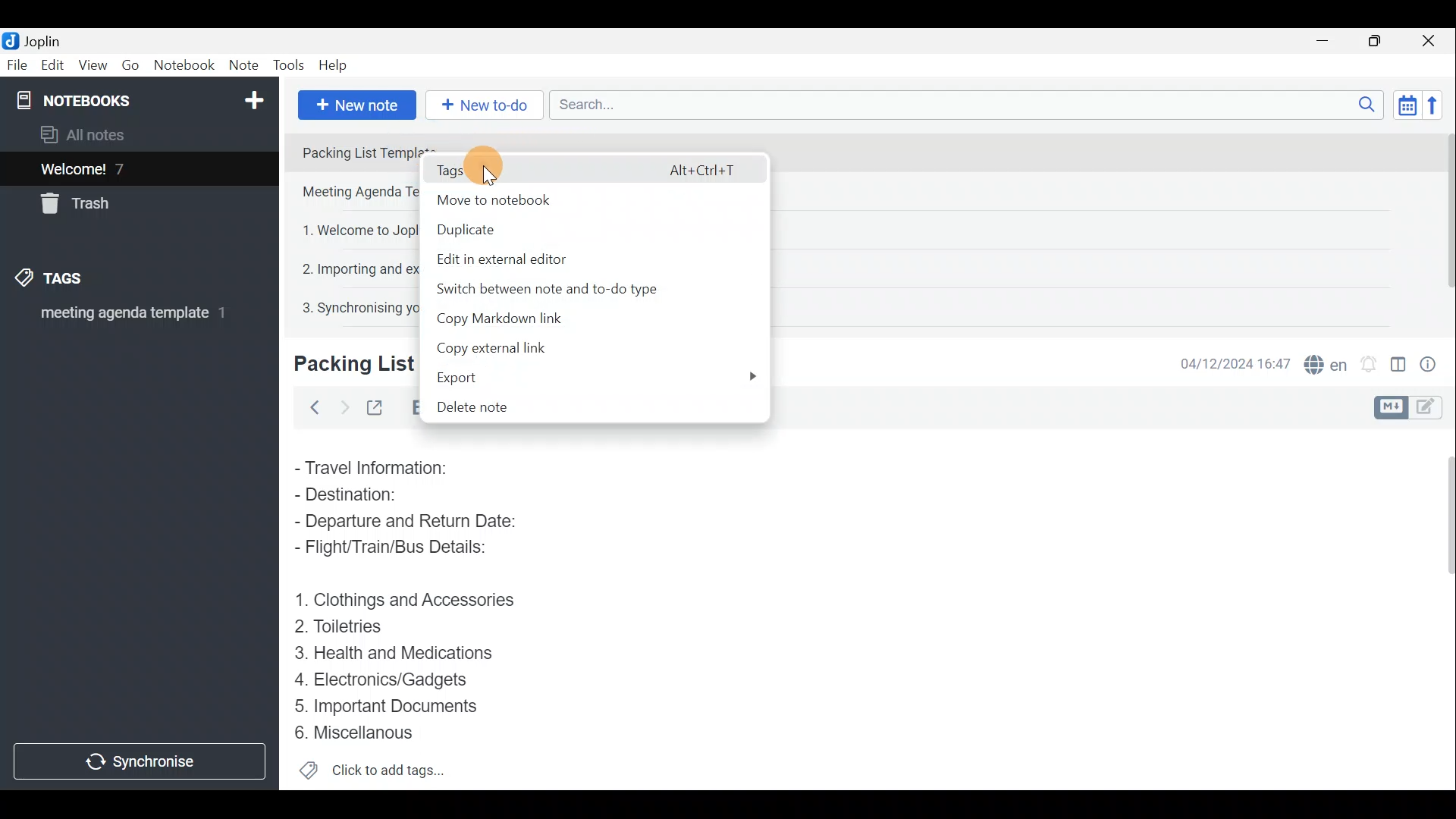  Describe the element at coordinates (356, 733) in the screenshot. I see `Miscellanous` at that location.